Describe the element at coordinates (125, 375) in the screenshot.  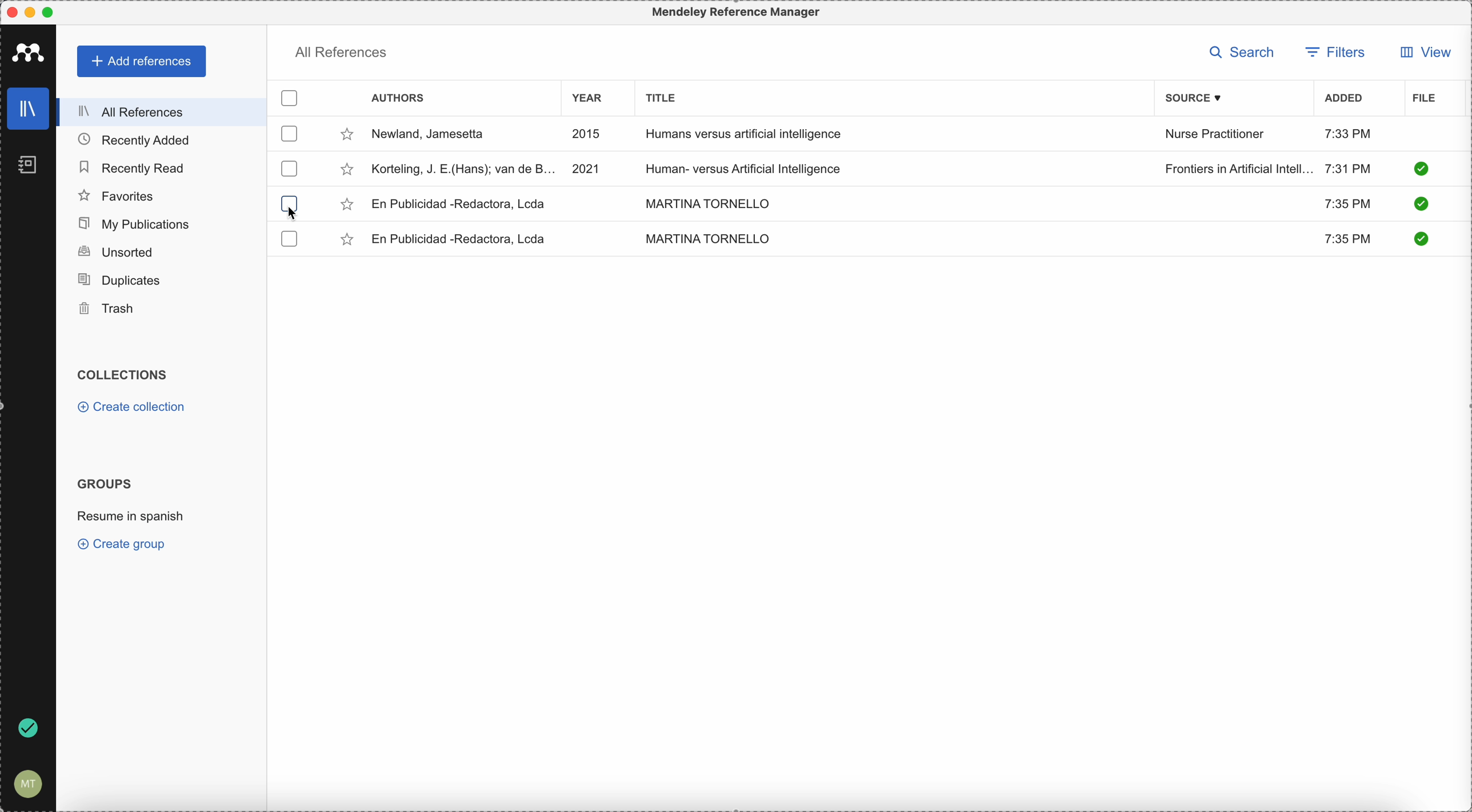
I see `collections` at that location.